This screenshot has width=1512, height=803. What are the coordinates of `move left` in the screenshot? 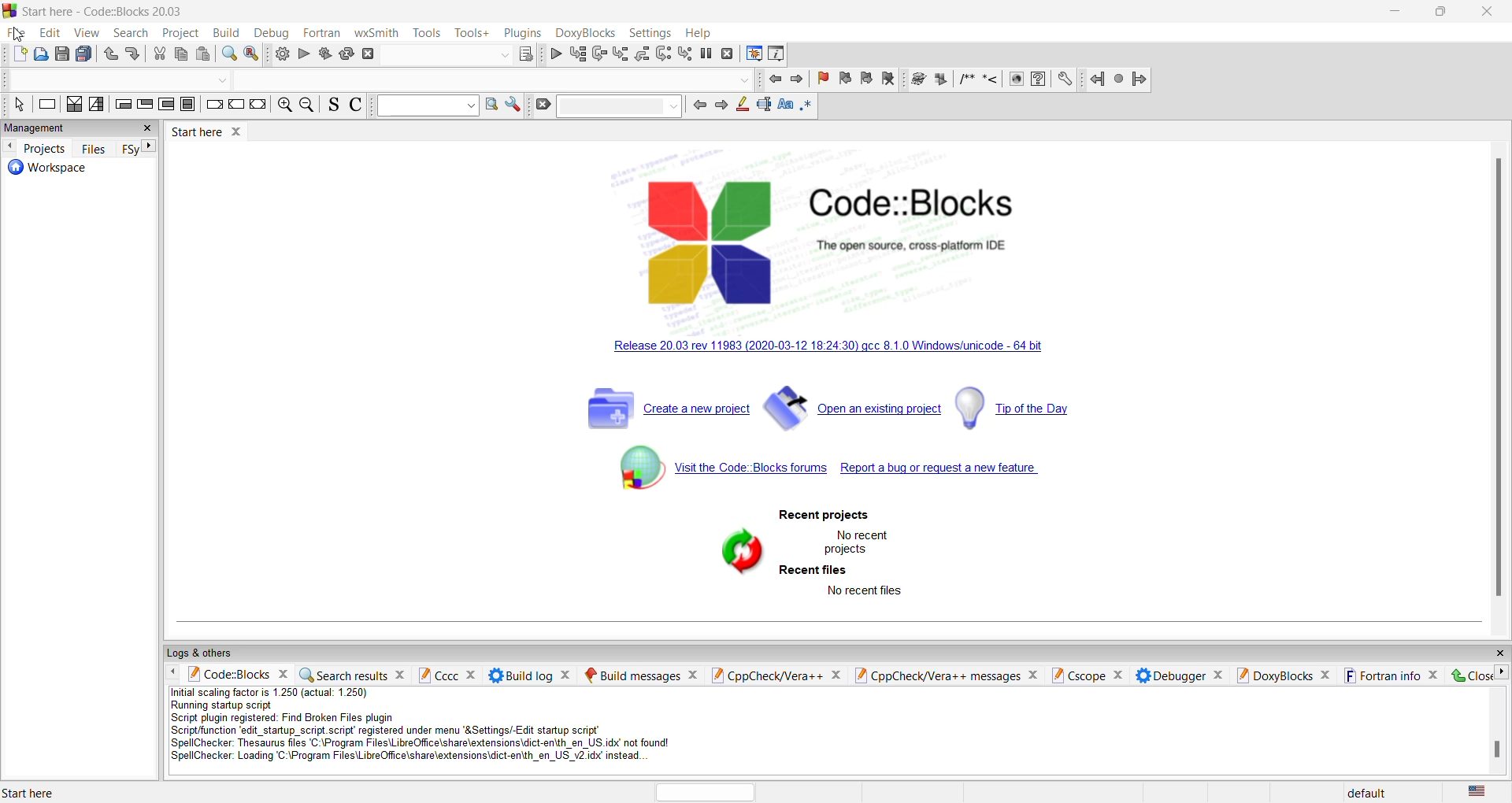 It's located at (9, 147).